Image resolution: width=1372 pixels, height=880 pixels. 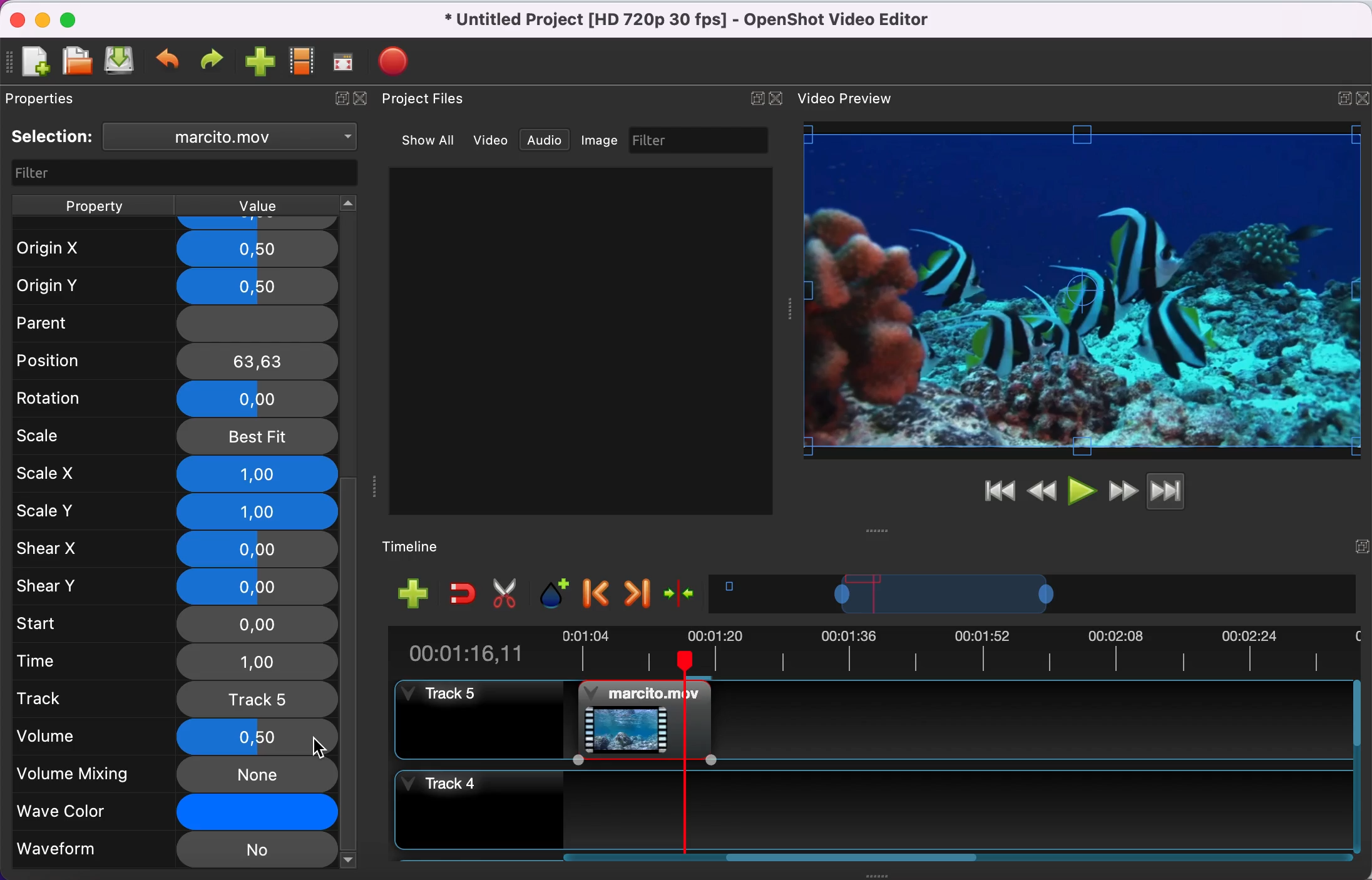 What do you see at coordinates (491, 140) in the screenshot?
I see `video` at bounding box center [491, 140].